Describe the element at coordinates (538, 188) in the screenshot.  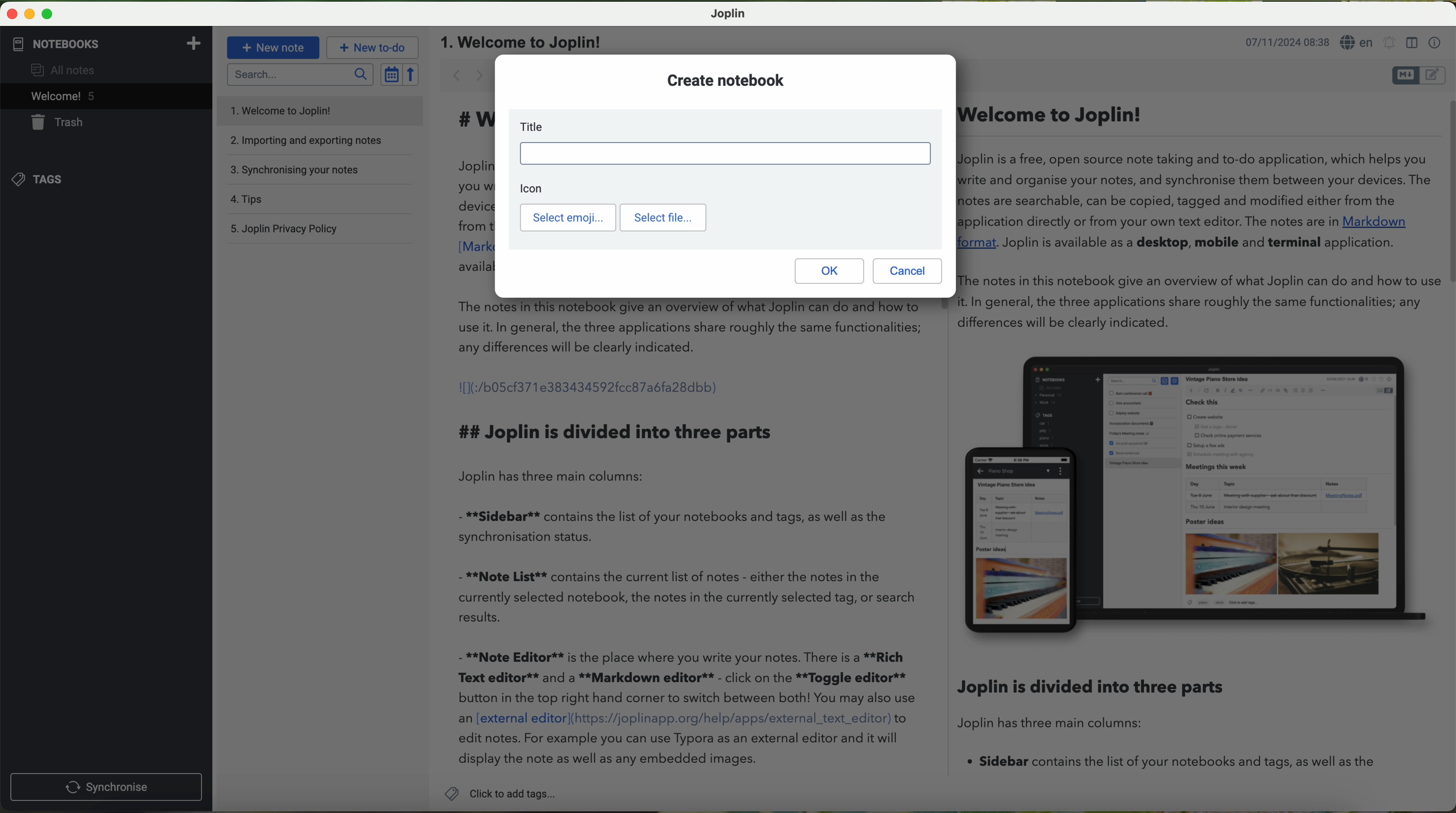
I see `icon` at that location.